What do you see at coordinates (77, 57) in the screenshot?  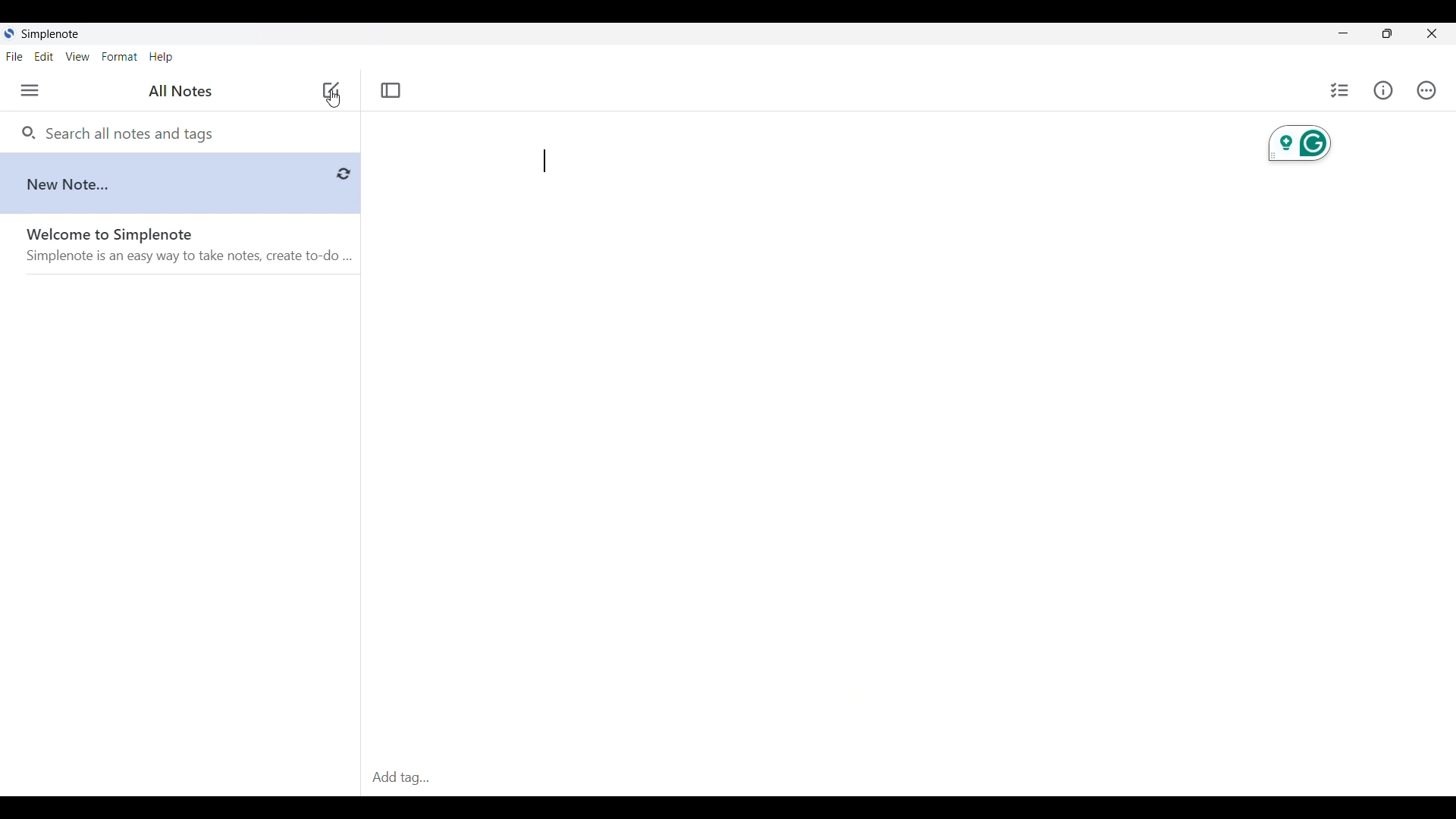 I see `View` at bounding box center [77, 57].